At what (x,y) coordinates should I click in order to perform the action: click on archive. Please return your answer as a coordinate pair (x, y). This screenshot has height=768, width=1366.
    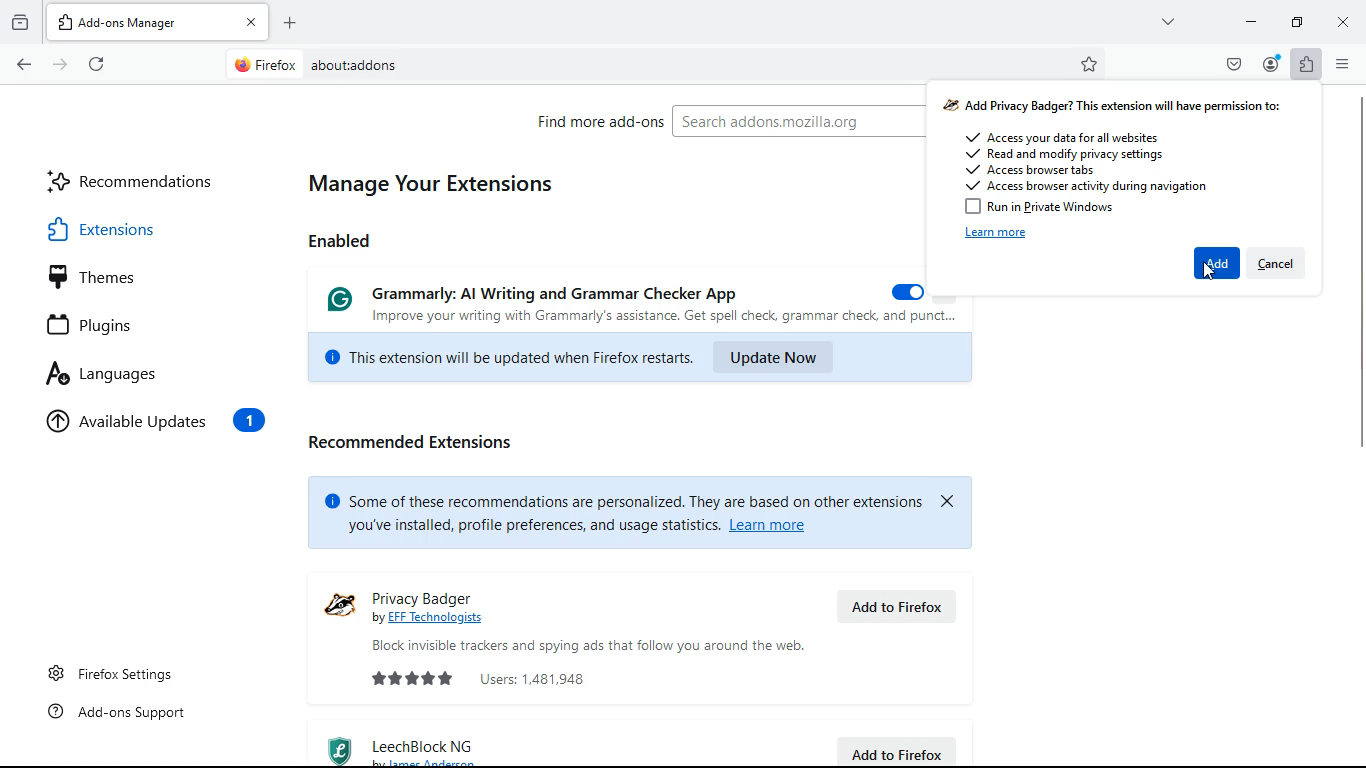
    Looking at the image, I should click on (18, 25).